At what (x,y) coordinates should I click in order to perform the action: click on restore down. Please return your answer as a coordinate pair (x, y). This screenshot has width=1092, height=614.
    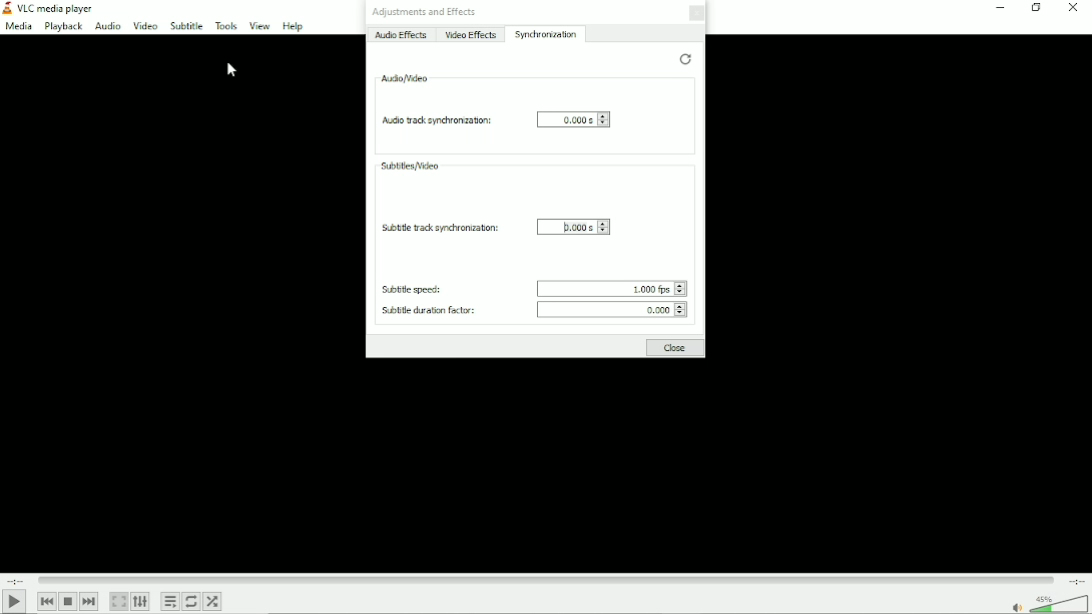
    Looking at the image, I should click on (1036, 9).